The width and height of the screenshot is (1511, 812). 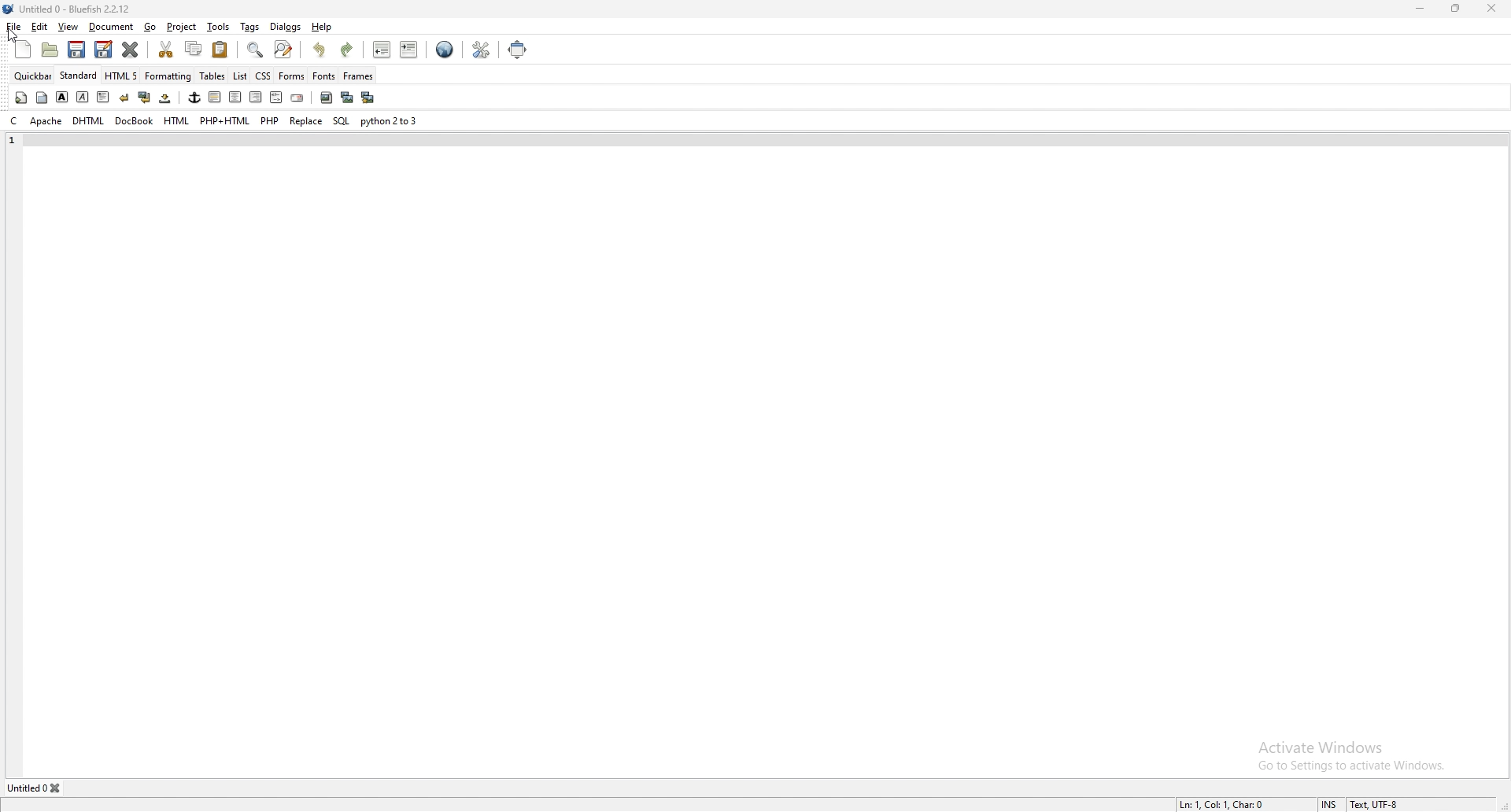 What do you see at coordinates (307, 121) in the screenshot?
I see `replace` at bounding box center [307, 121].